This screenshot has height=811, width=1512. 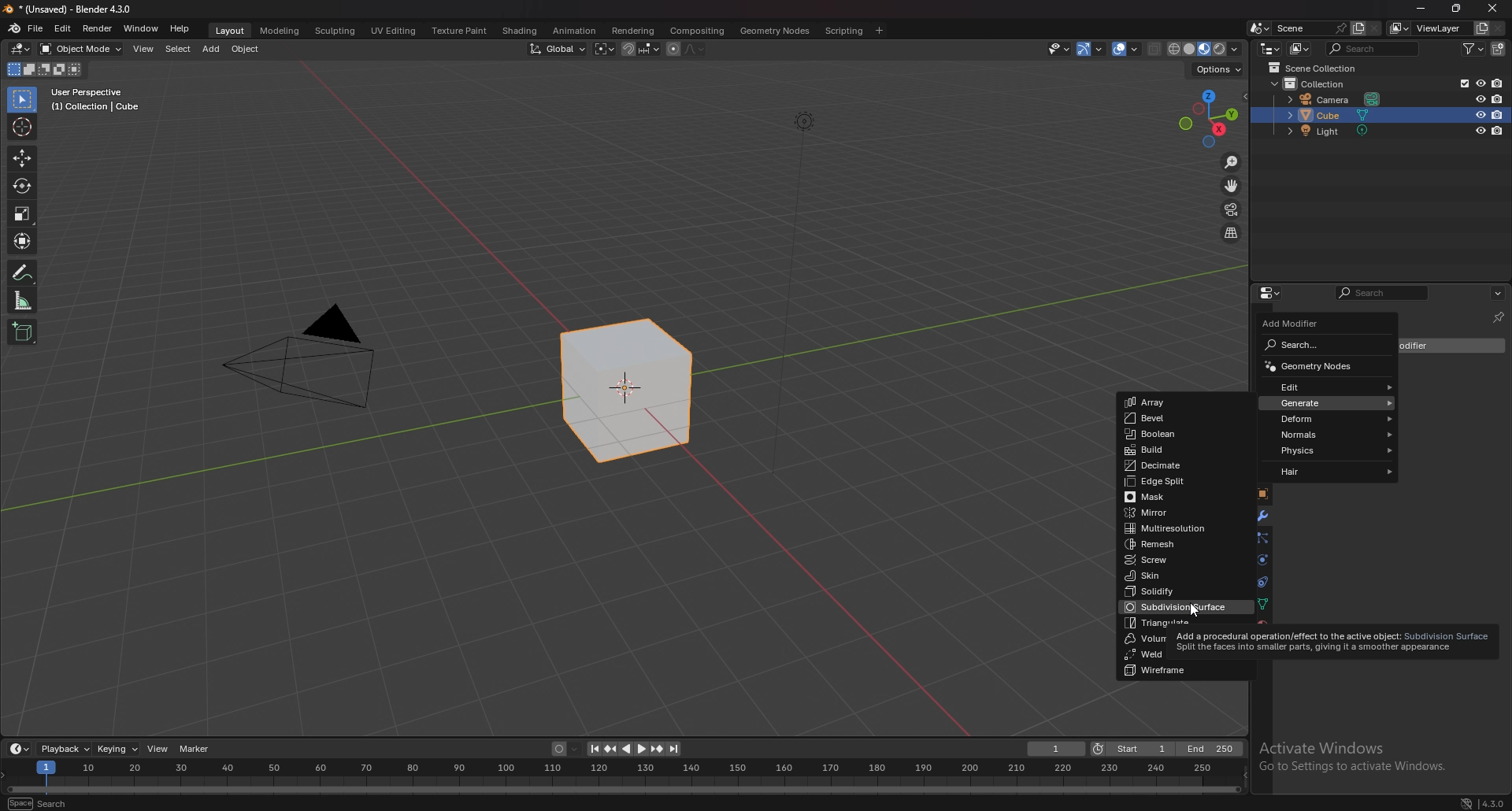 What do you see at coordinates (1181, 513) in the screenshot?
I see `mirror` at bounding box center [1181, 513].